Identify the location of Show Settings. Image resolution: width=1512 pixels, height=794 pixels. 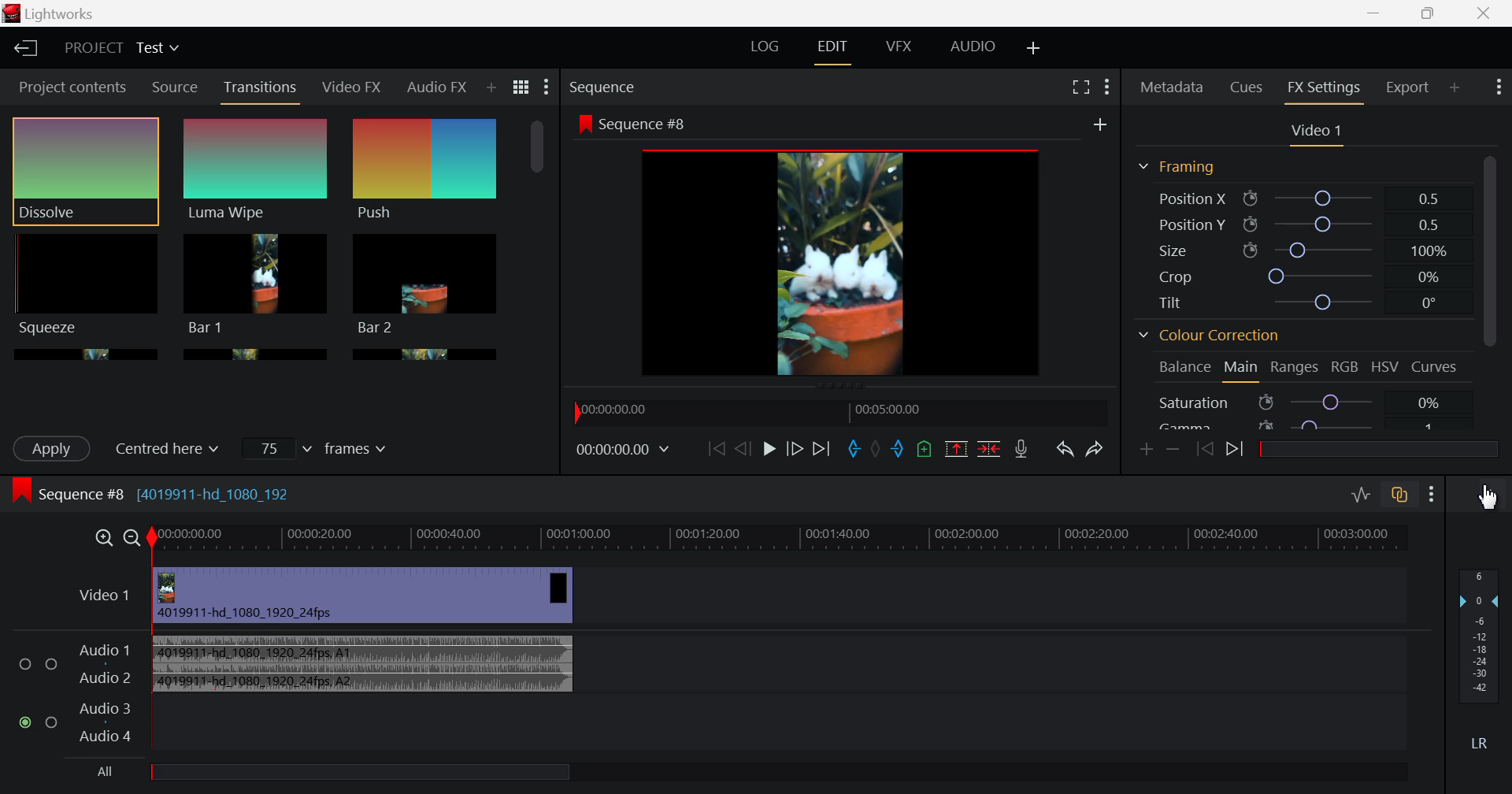
(1106, 87).